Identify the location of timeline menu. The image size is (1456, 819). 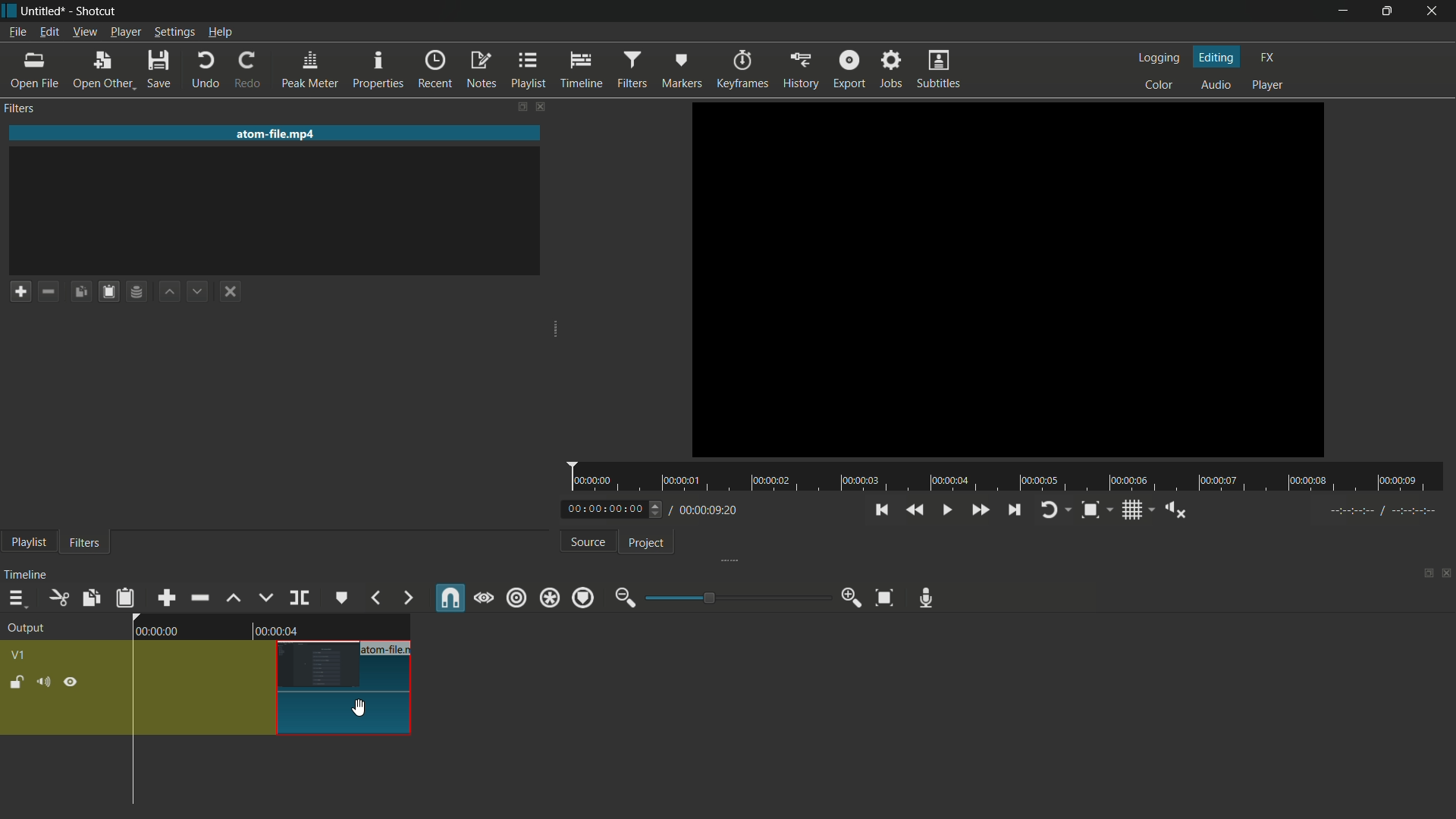
(13, 597).